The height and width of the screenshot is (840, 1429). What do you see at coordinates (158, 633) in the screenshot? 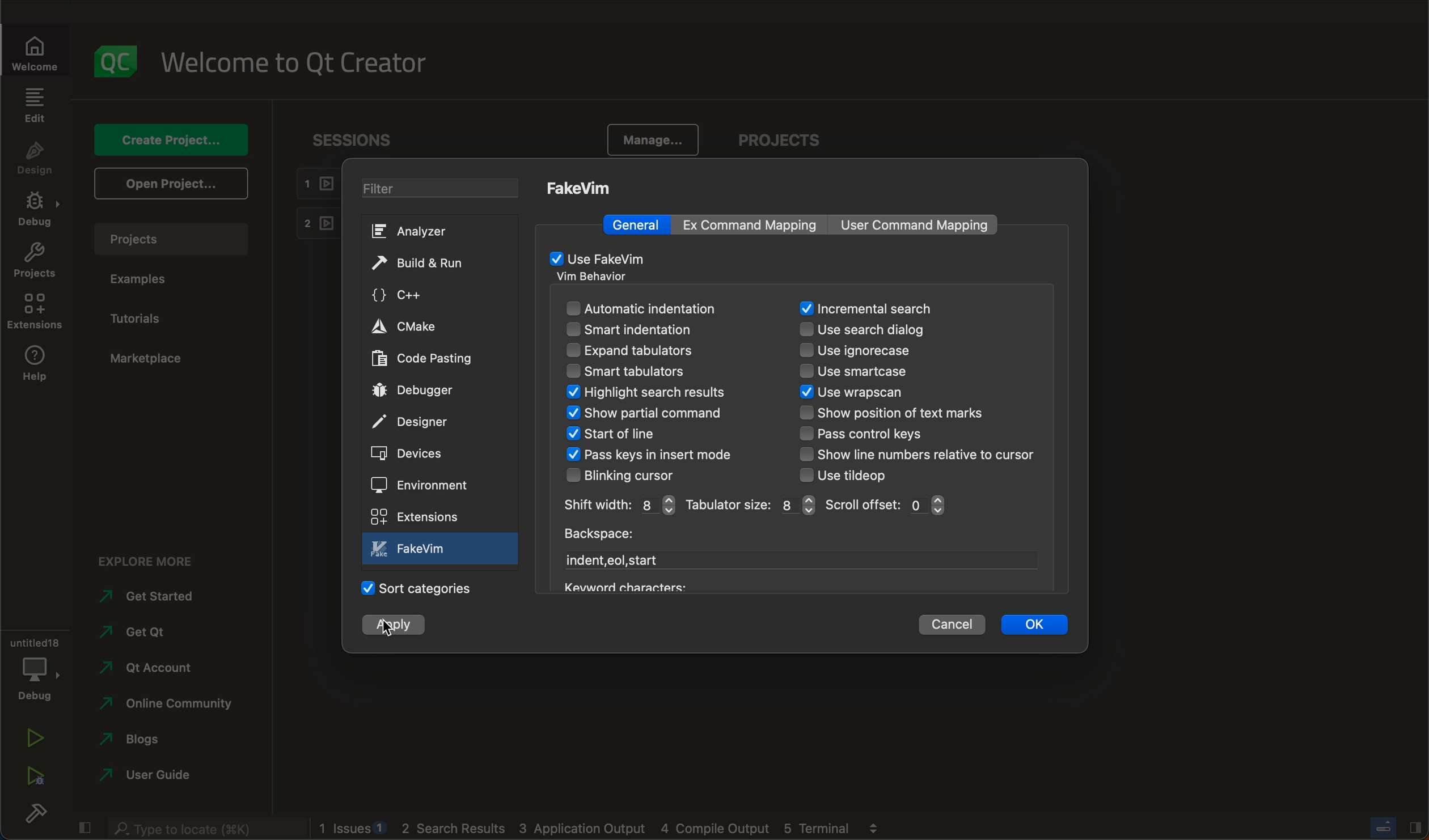
I see `qt` at bounding box center [158, 633].